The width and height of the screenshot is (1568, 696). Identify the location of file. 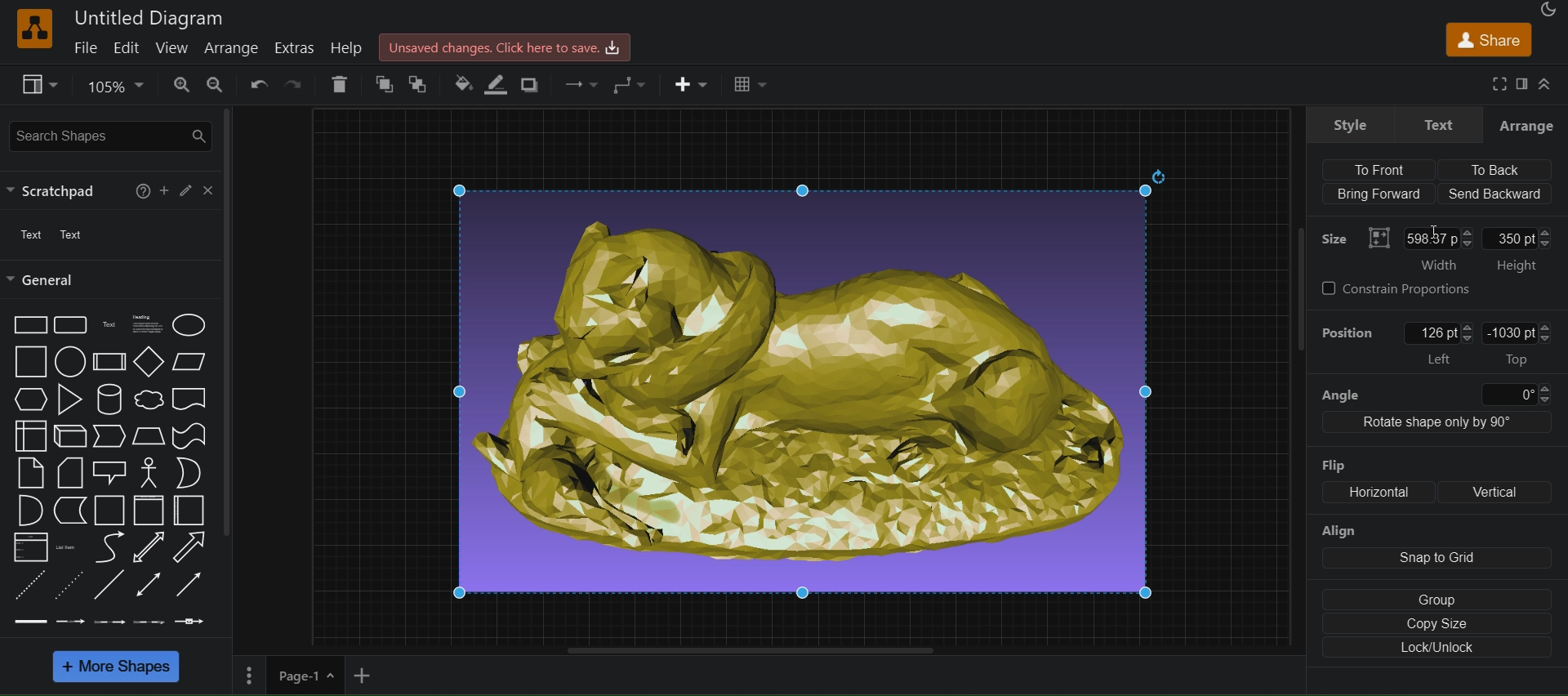
(79, 49).